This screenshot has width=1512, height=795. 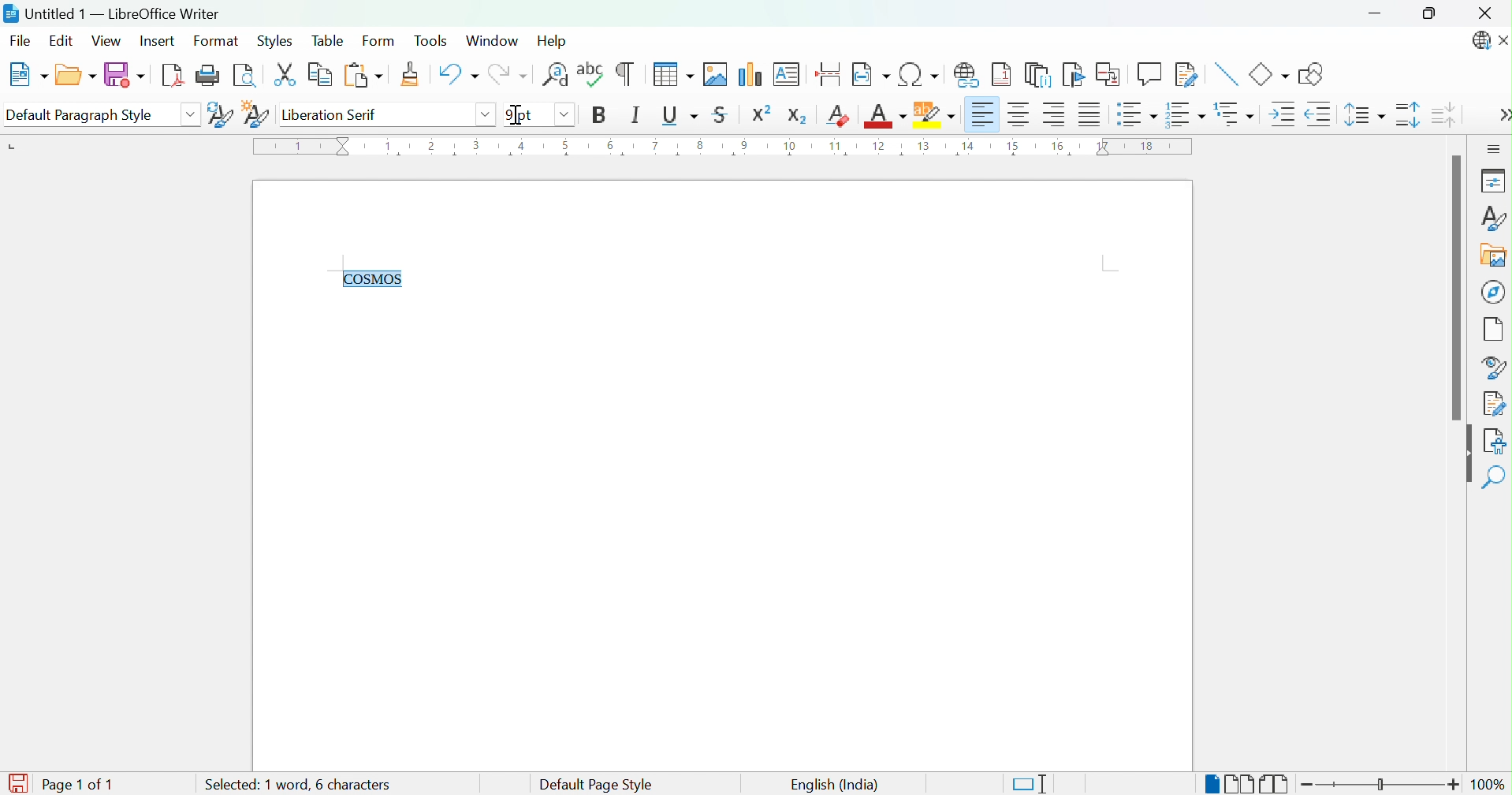 I want to click on Navigator, so click(x=1495, y=291).